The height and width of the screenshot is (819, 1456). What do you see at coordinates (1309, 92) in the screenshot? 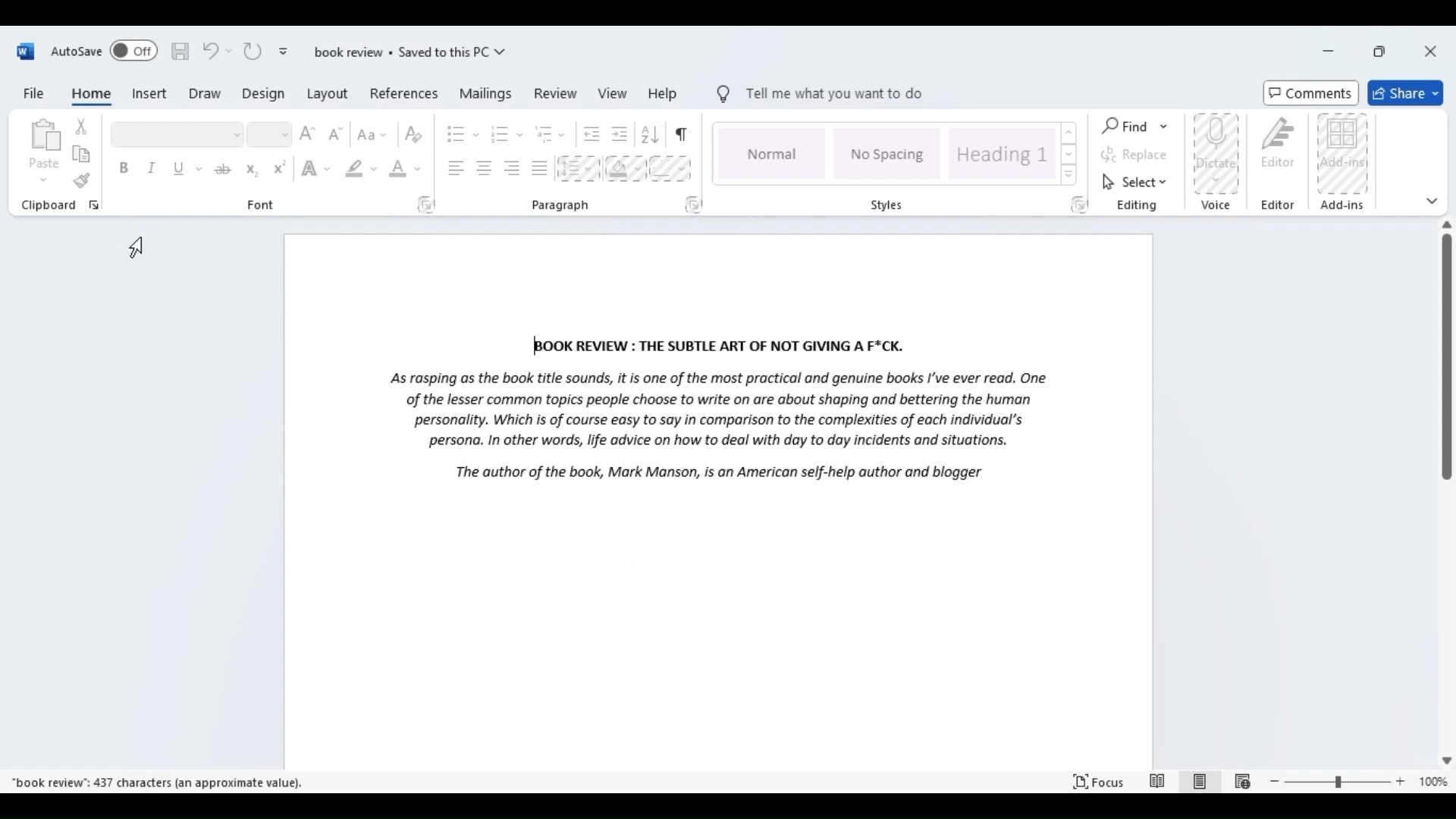
I see ` comments` at bounding box center [1309, 92].